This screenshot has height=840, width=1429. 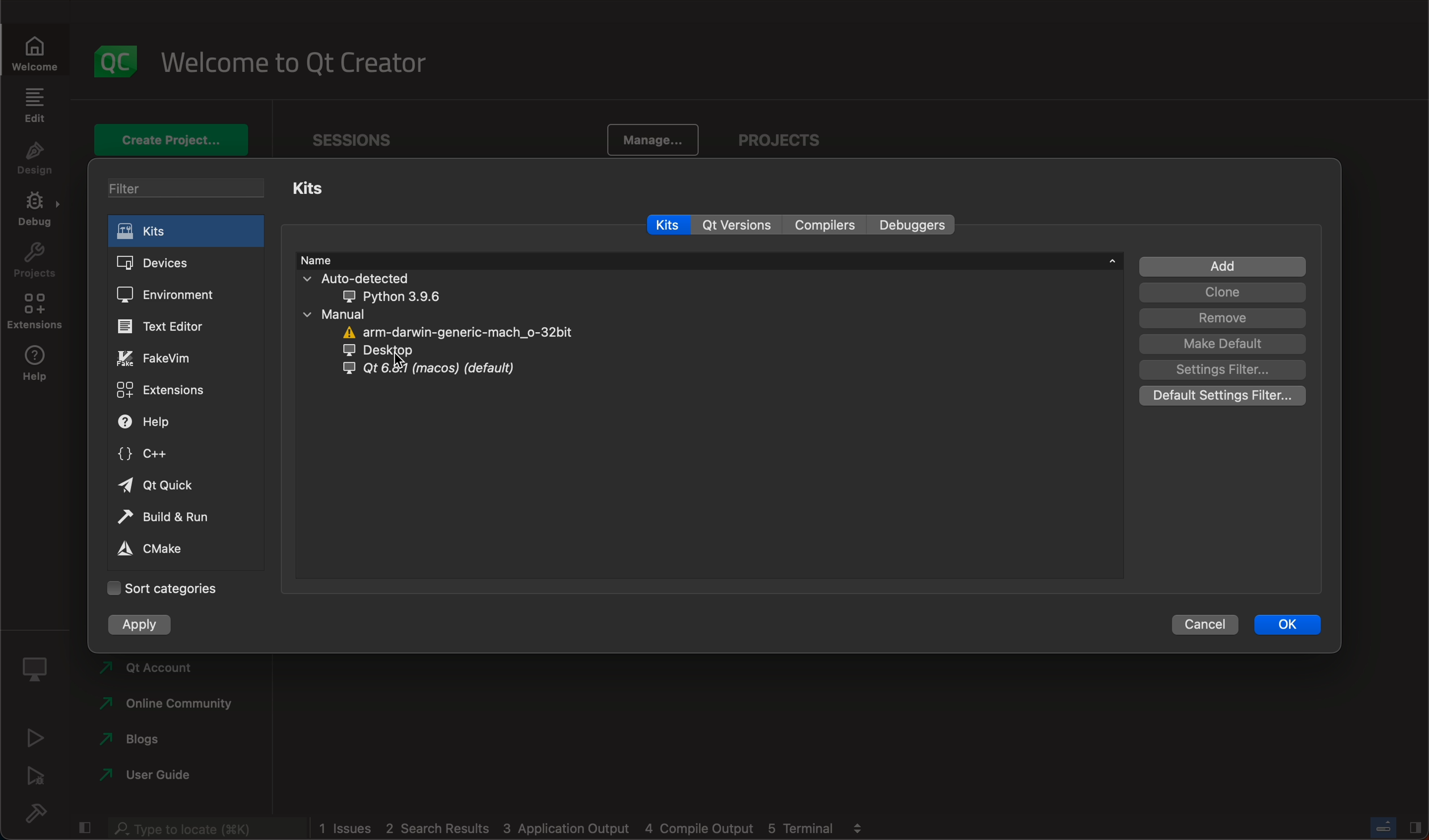 I want to click on hide/show left sidebar, so click(x=82, y=828).